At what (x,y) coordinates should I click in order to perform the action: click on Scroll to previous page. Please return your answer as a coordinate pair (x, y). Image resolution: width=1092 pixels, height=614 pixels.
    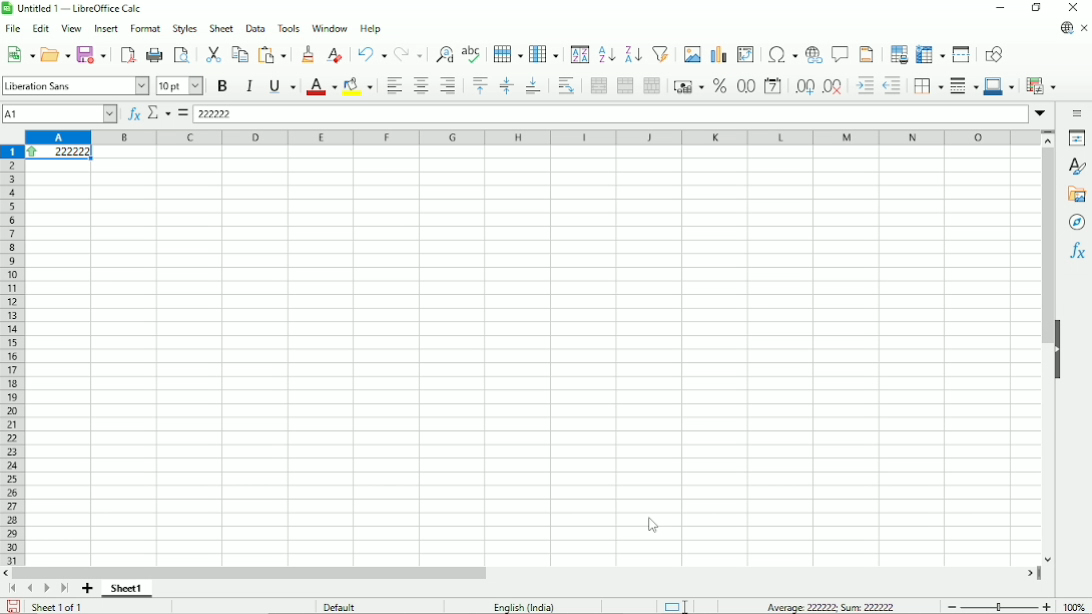
    Looking at the image, I should click on (30, 588).